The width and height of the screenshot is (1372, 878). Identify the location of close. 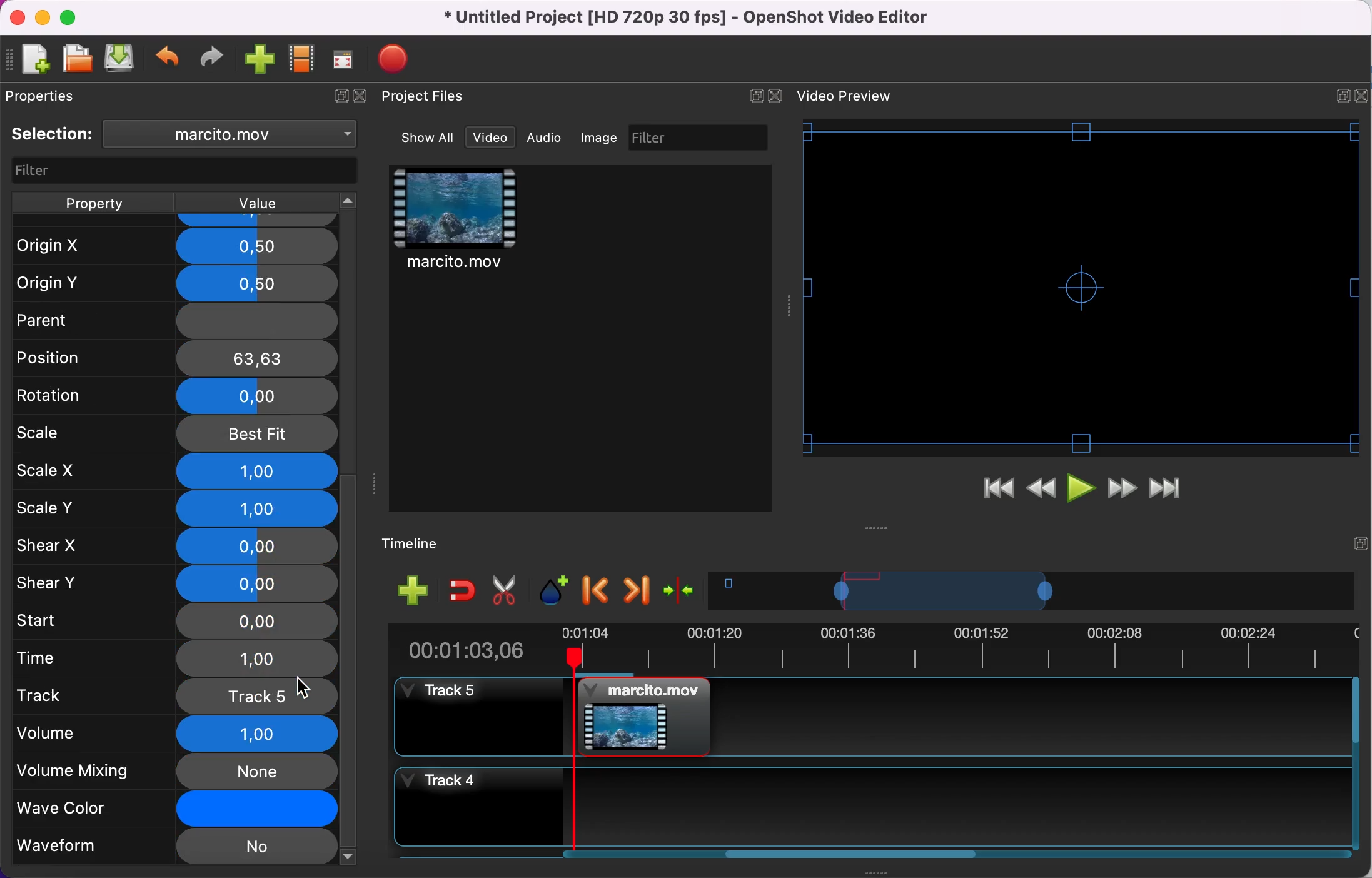
(17, 18).